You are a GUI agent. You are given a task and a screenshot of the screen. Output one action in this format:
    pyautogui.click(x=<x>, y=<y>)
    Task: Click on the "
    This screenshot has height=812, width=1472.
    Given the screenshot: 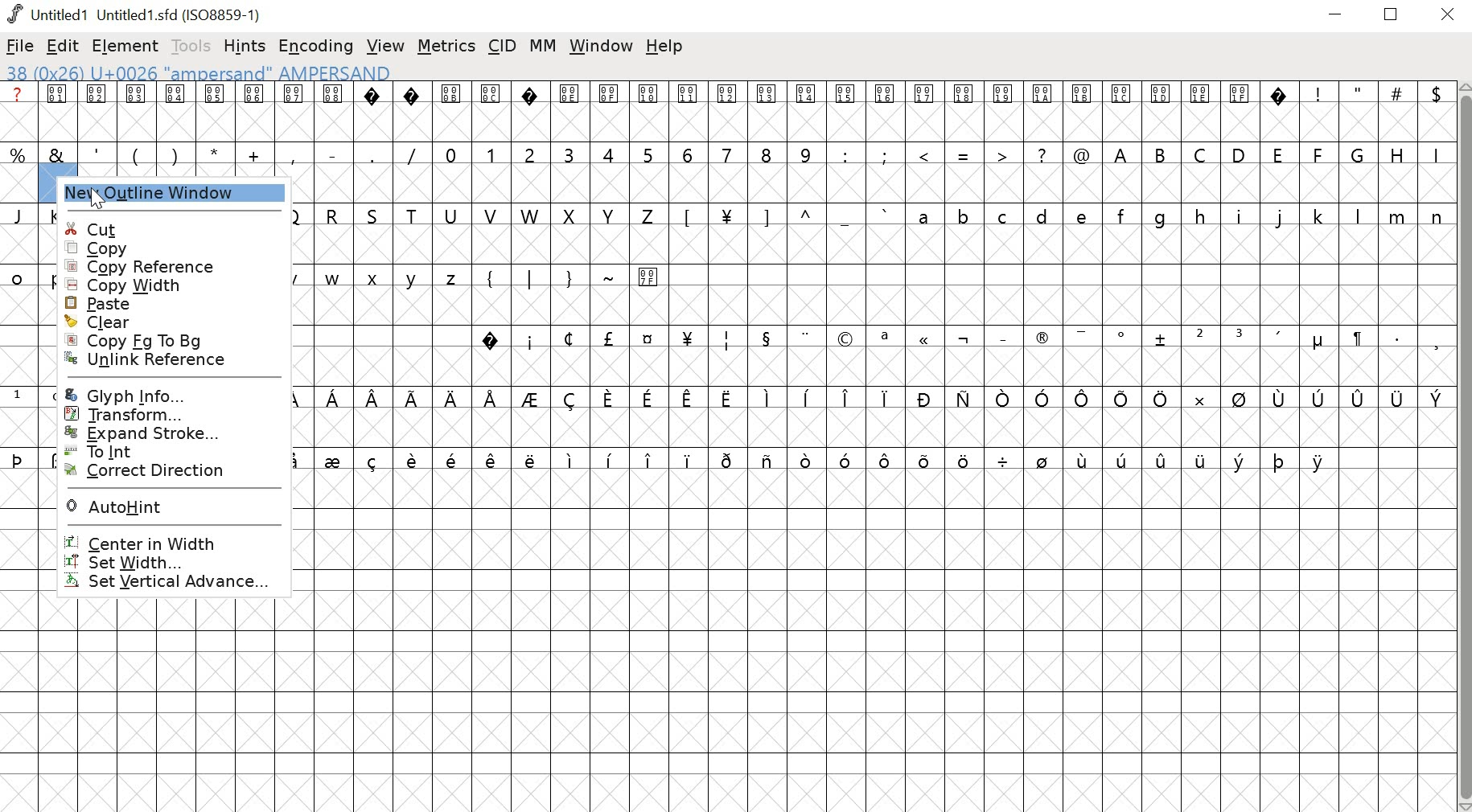 What is the action you would take?
    pyautogui.click(x=1359, y=113)
    